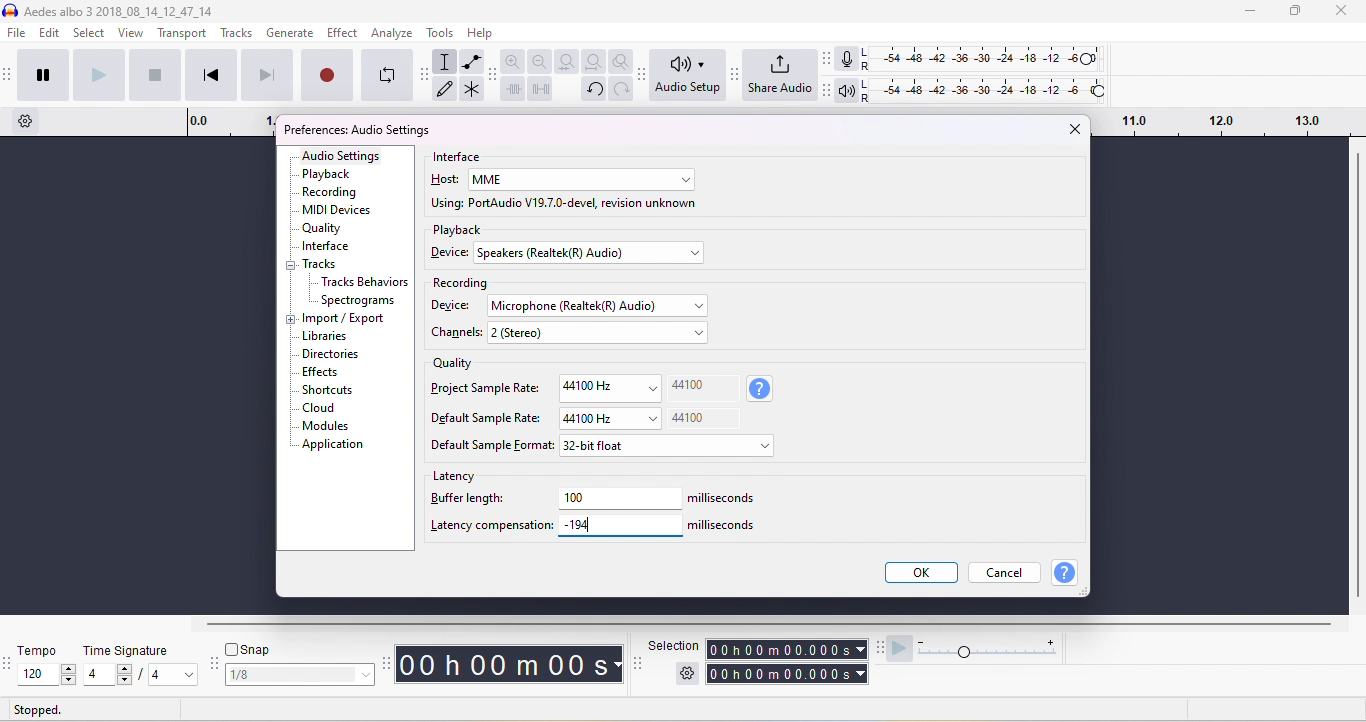 This screenshot has height=722, width=1366. Describe the element at coordinates (621, 498) in the screenshot. I see `100` at that location.